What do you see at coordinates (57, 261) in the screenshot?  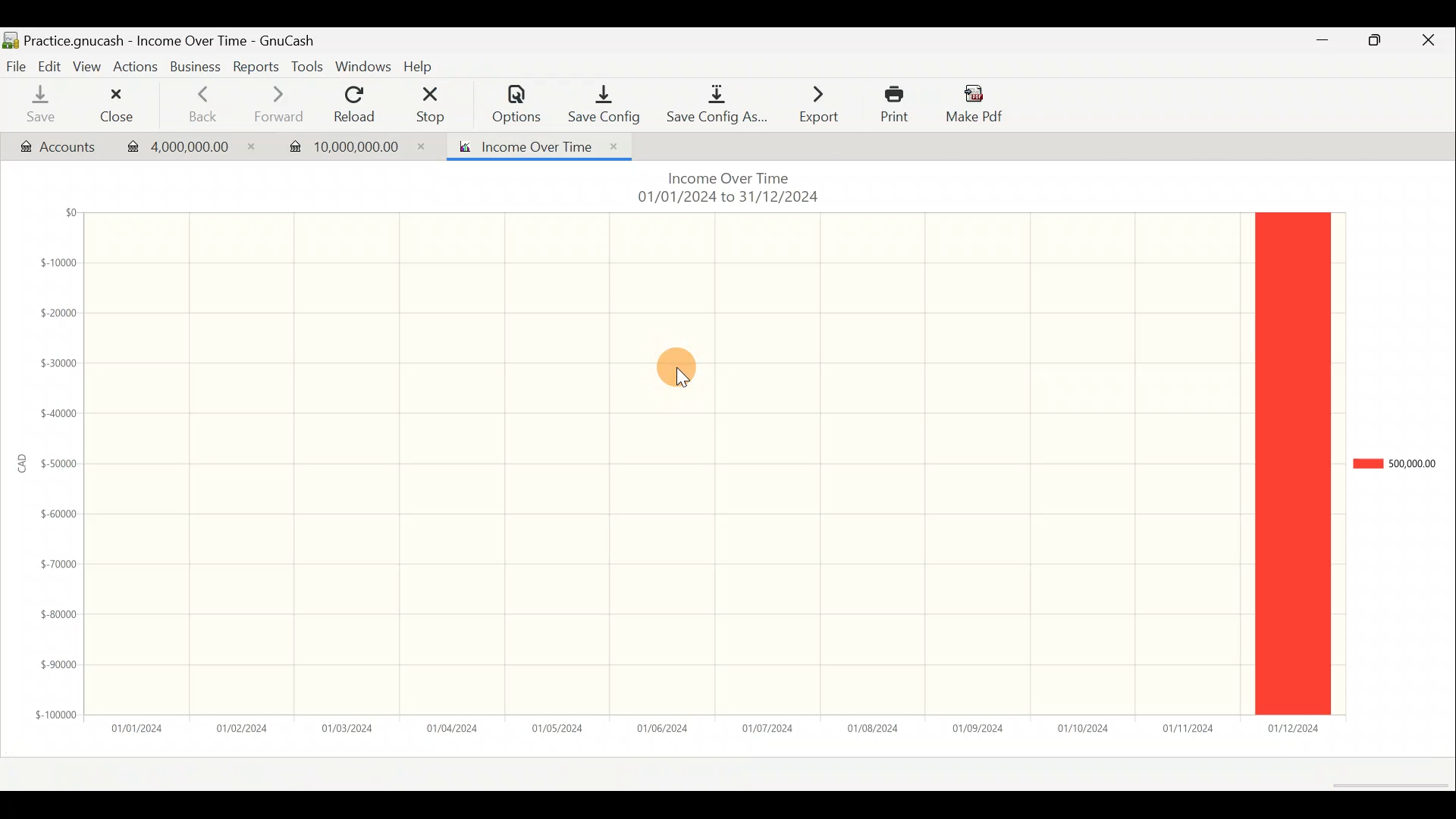 I see `$-10000` at bounding box center [57, 261].